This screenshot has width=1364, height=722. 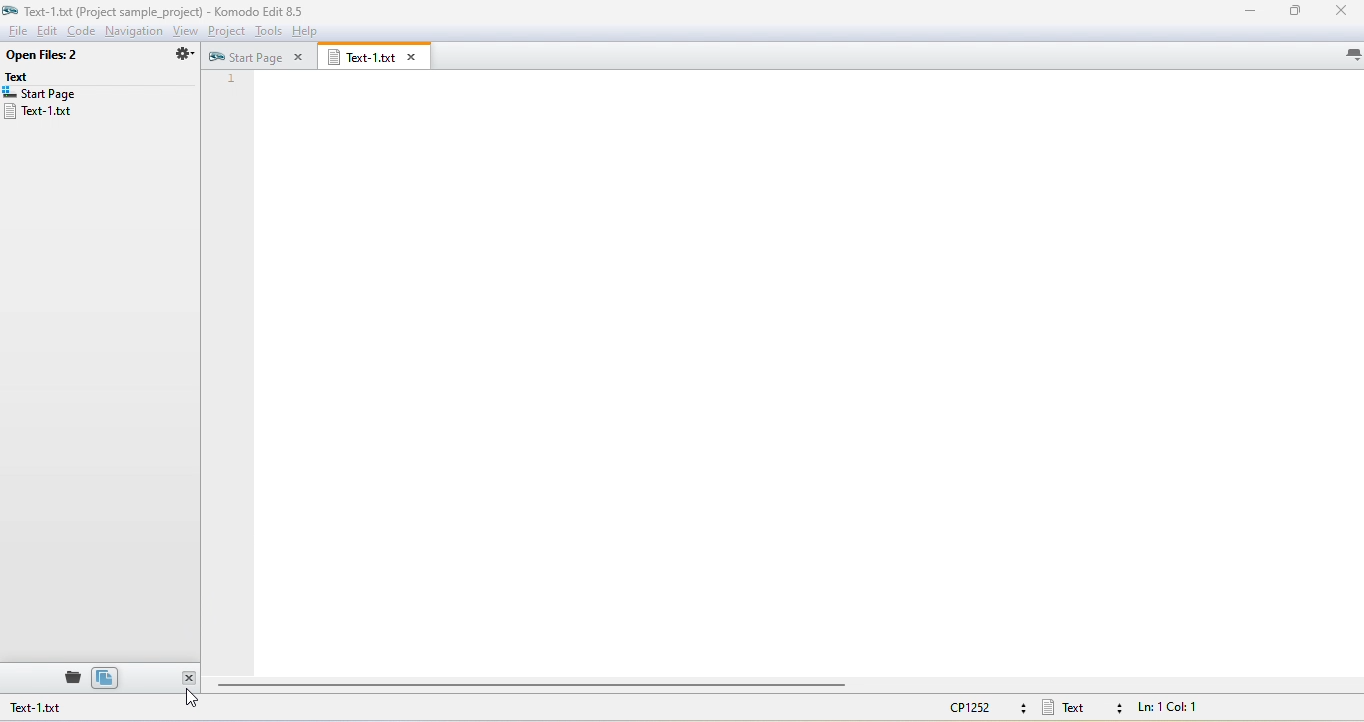 I want to click on line numbers, so click(x=228, y=144).